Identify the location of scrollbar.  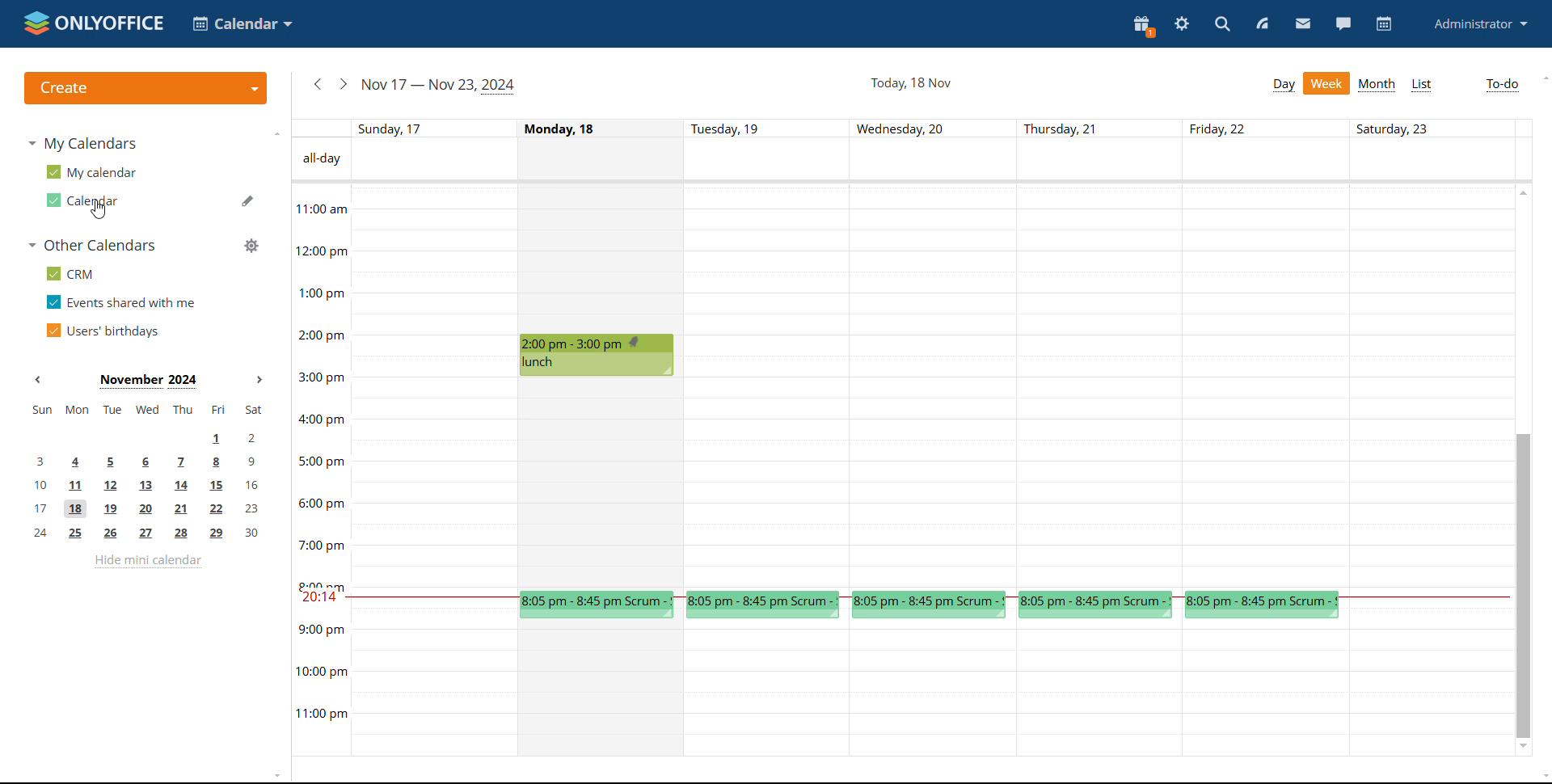
(1522, 586).